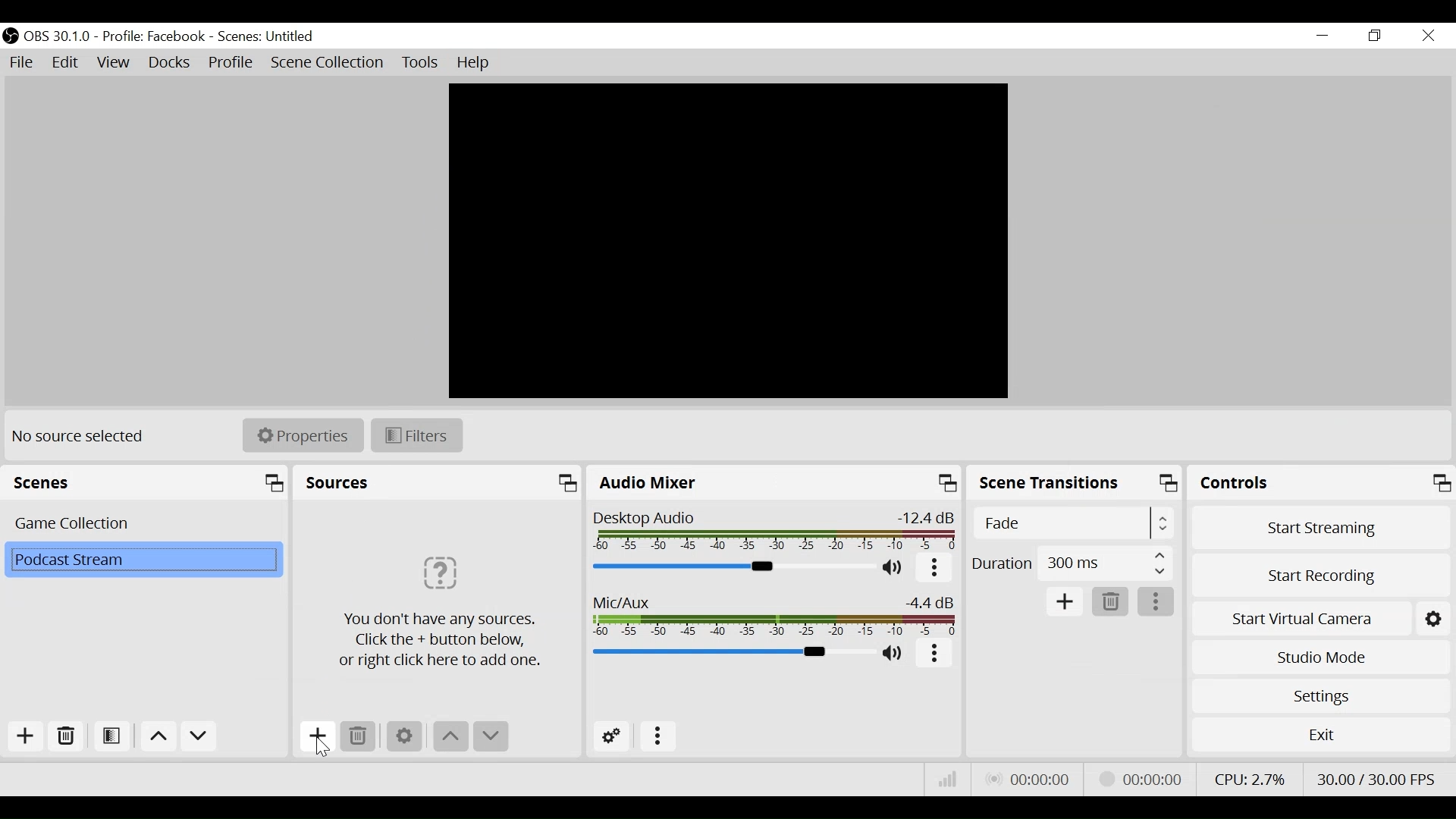 The image size is (1456, 819). I want to click on Scenes, so click(146, 482).